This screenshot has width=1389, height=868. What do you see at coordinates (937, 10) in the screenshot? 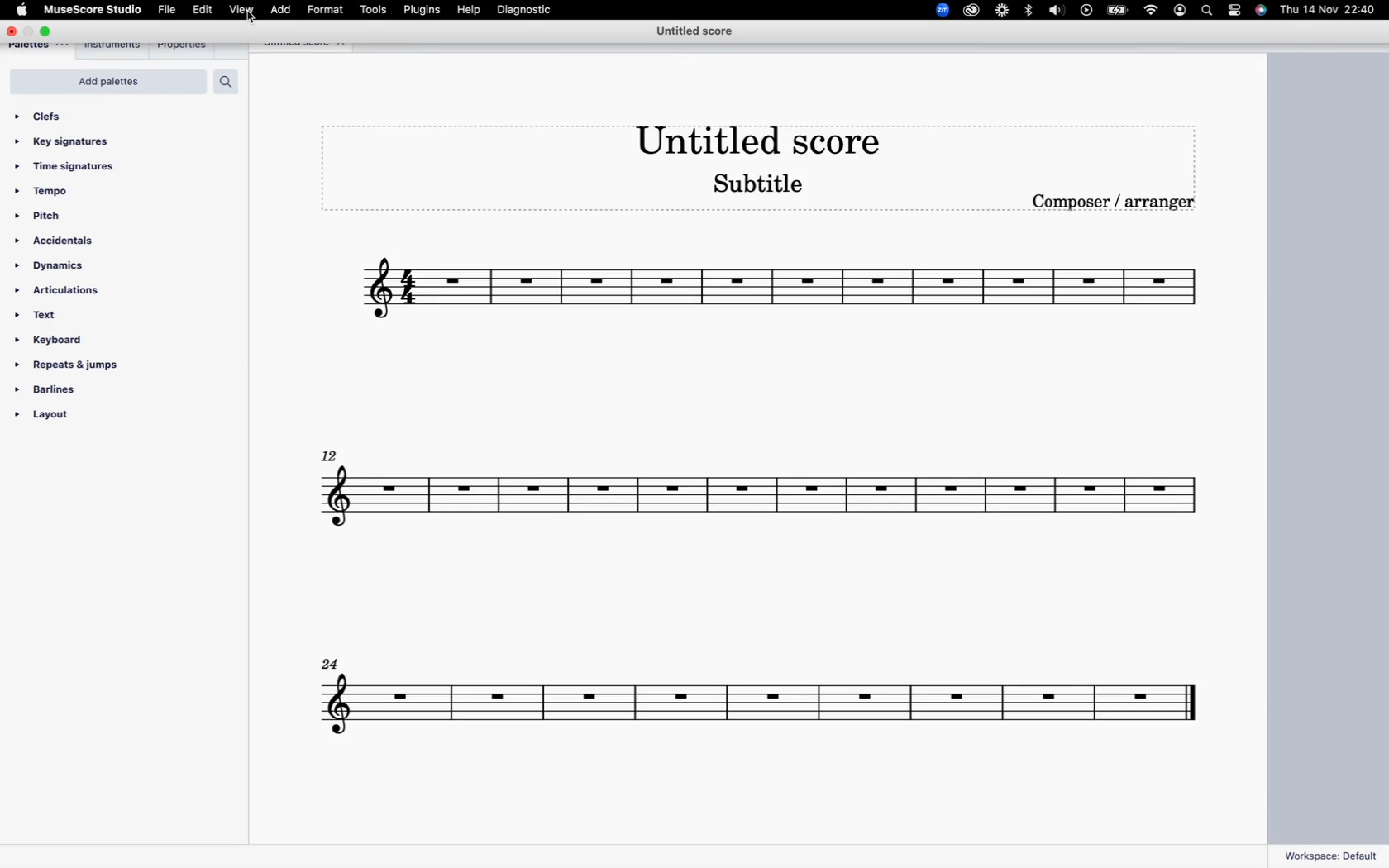
I see `zoom` at bounding box center [937, 10].